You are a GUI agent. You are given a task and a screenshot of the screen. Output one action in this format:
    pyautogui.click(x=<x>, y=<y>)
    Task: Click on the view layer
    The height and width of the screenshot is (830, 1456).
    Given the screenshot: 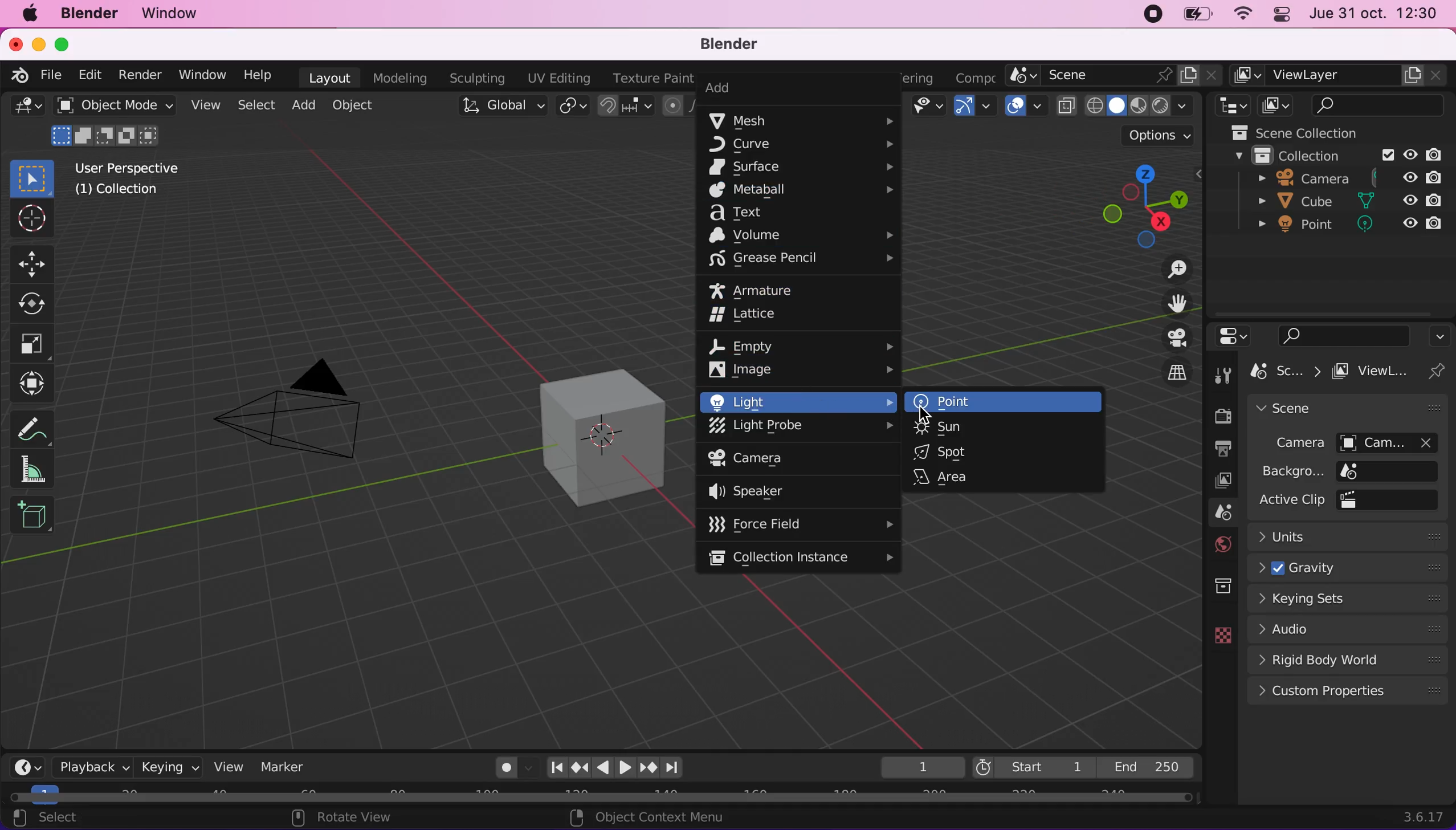 What is the action you would take?
    pyautogui.click(x=1340, y=74)
    